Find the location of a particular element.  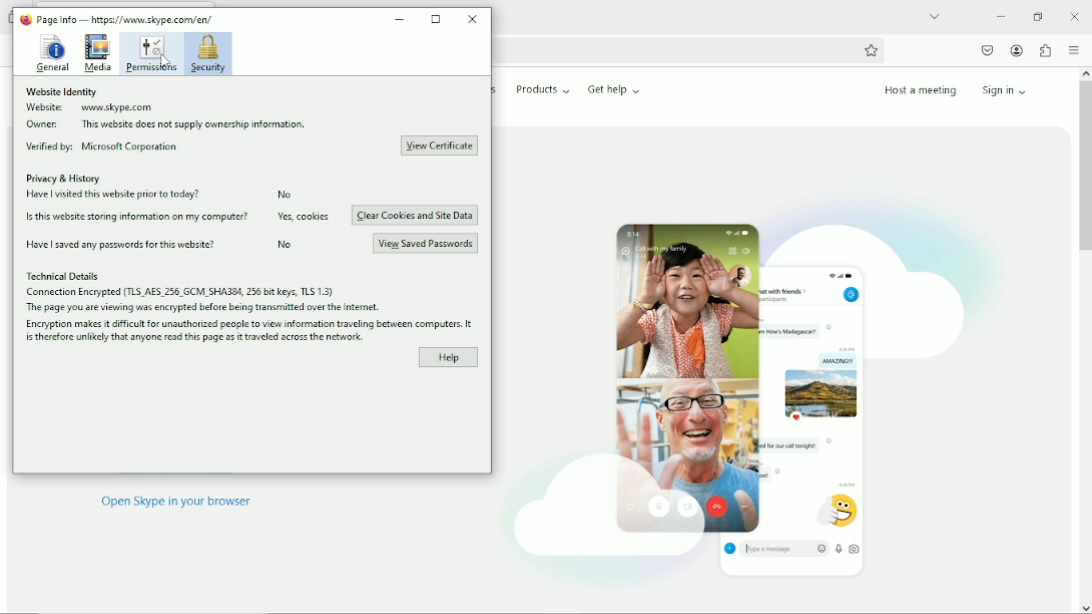

View saved passwords is located at coordinates (426, 242).